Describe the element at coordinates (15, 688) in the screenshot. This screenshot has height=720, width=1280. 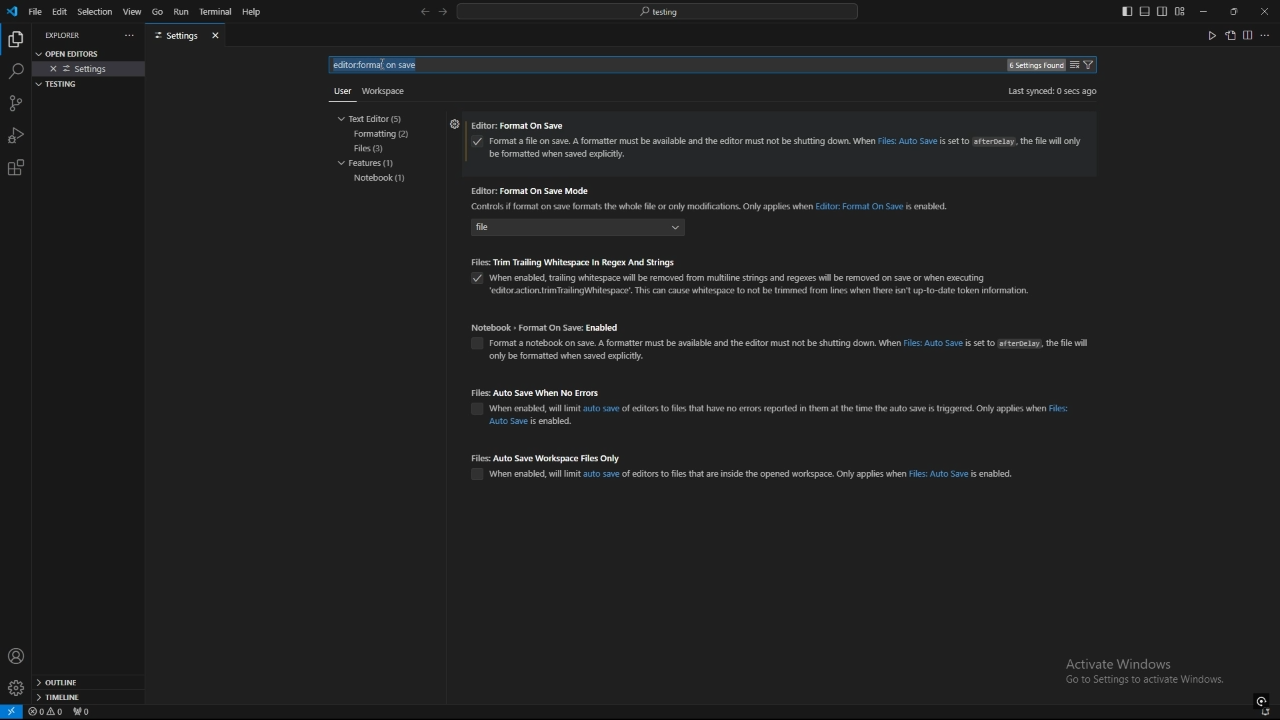
I see `settings` at that location.